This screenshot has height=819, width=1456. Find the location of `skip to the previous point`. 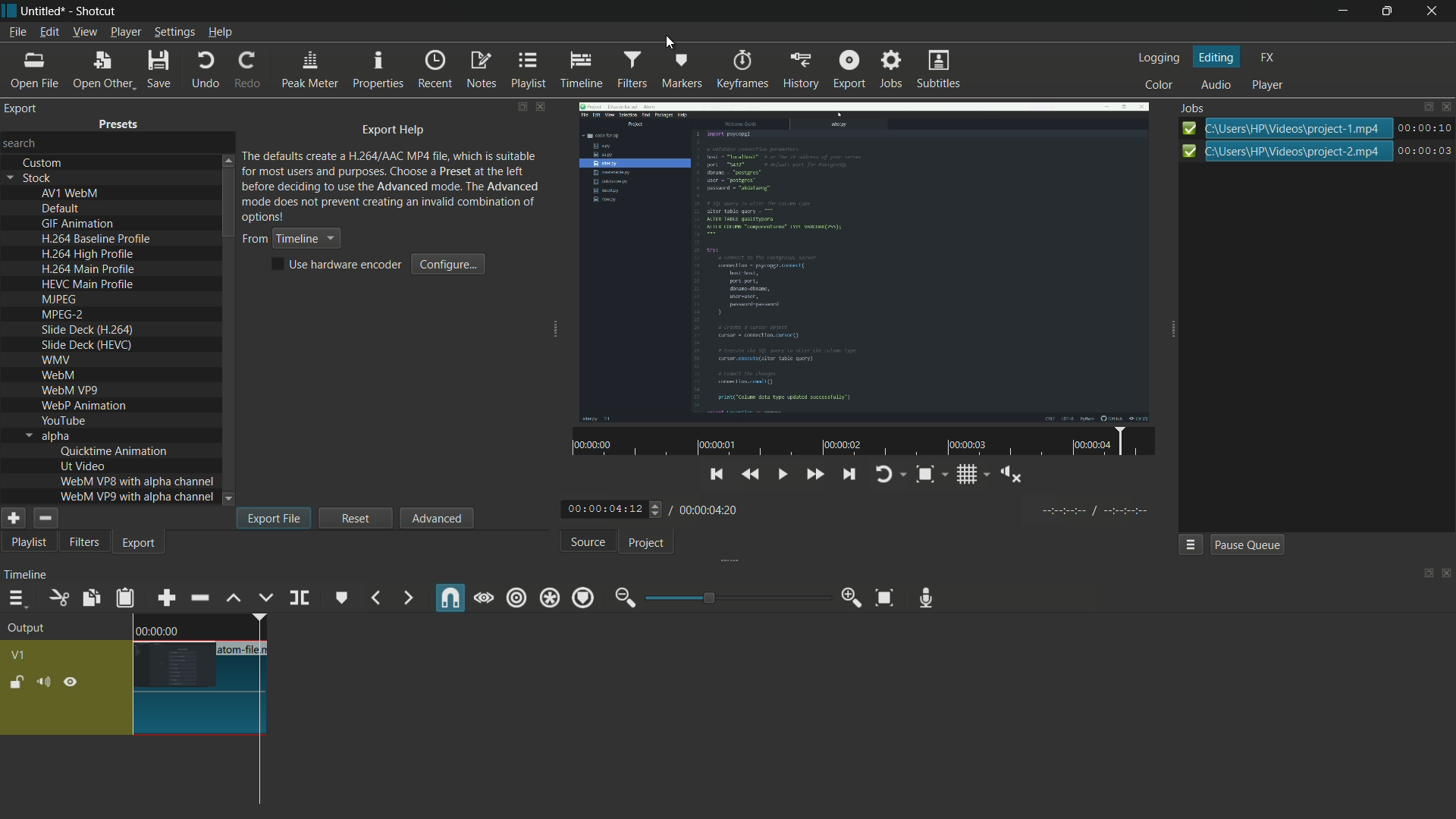

skip to the previous point is located at coordinates (880, 510).